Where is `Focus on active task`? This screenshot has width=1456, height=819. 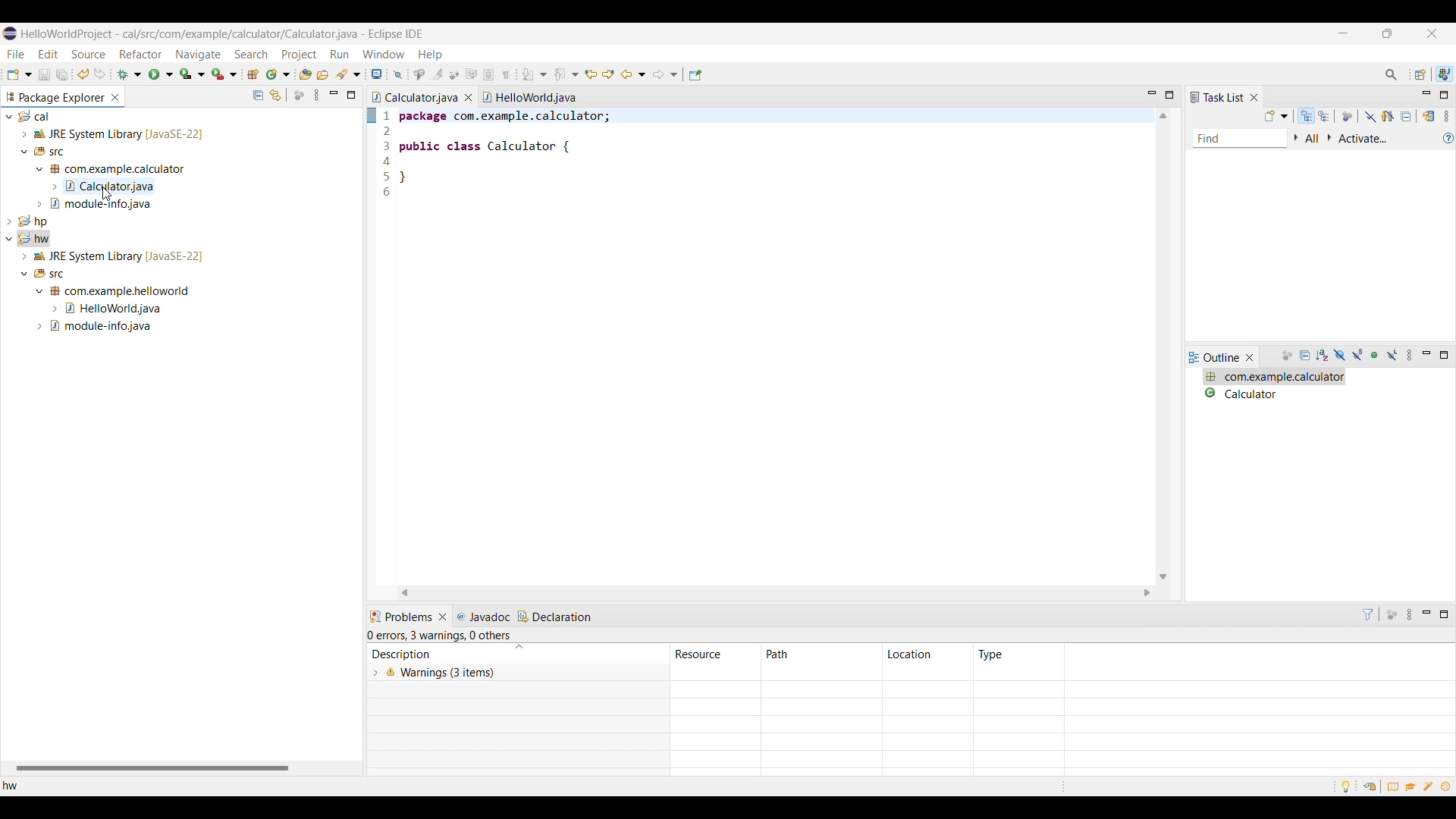
Focus on active task is located at coordinates (1287, 356).